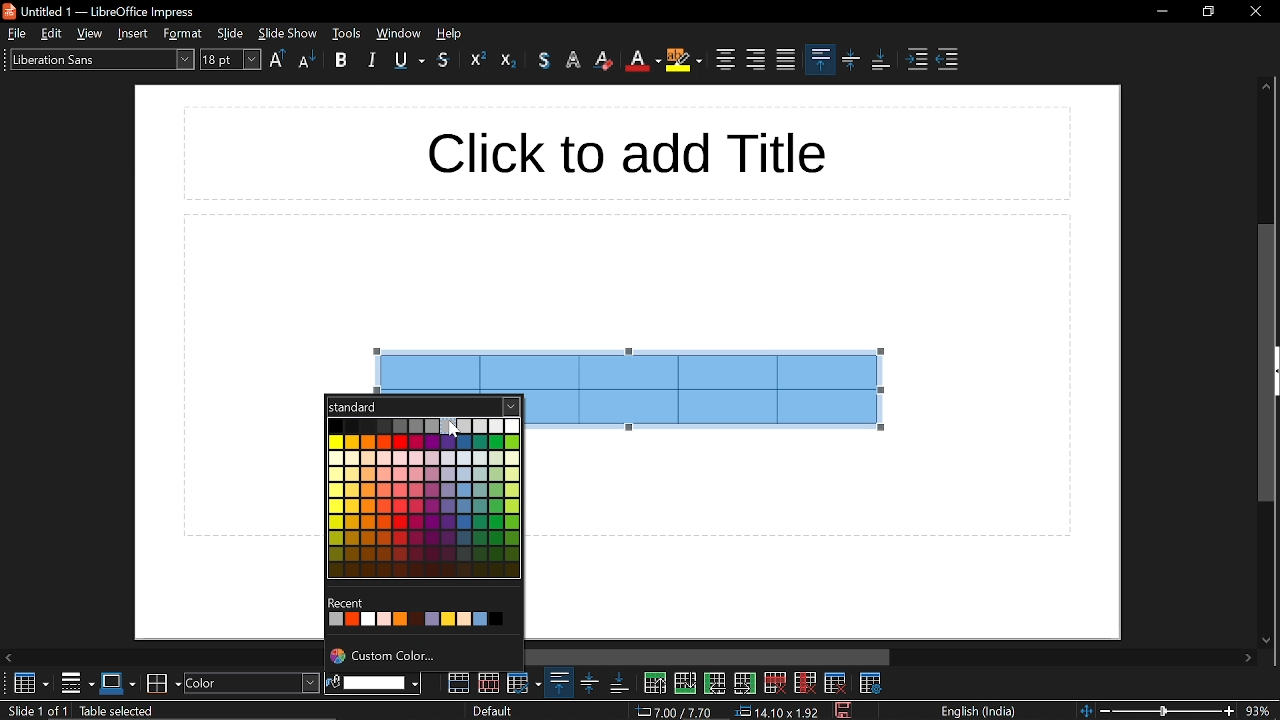 The width and height of the screenshot is (1280, 720). Describe the element at coordinates (34, 712) in the screenshot. I see `current slide` at that location.